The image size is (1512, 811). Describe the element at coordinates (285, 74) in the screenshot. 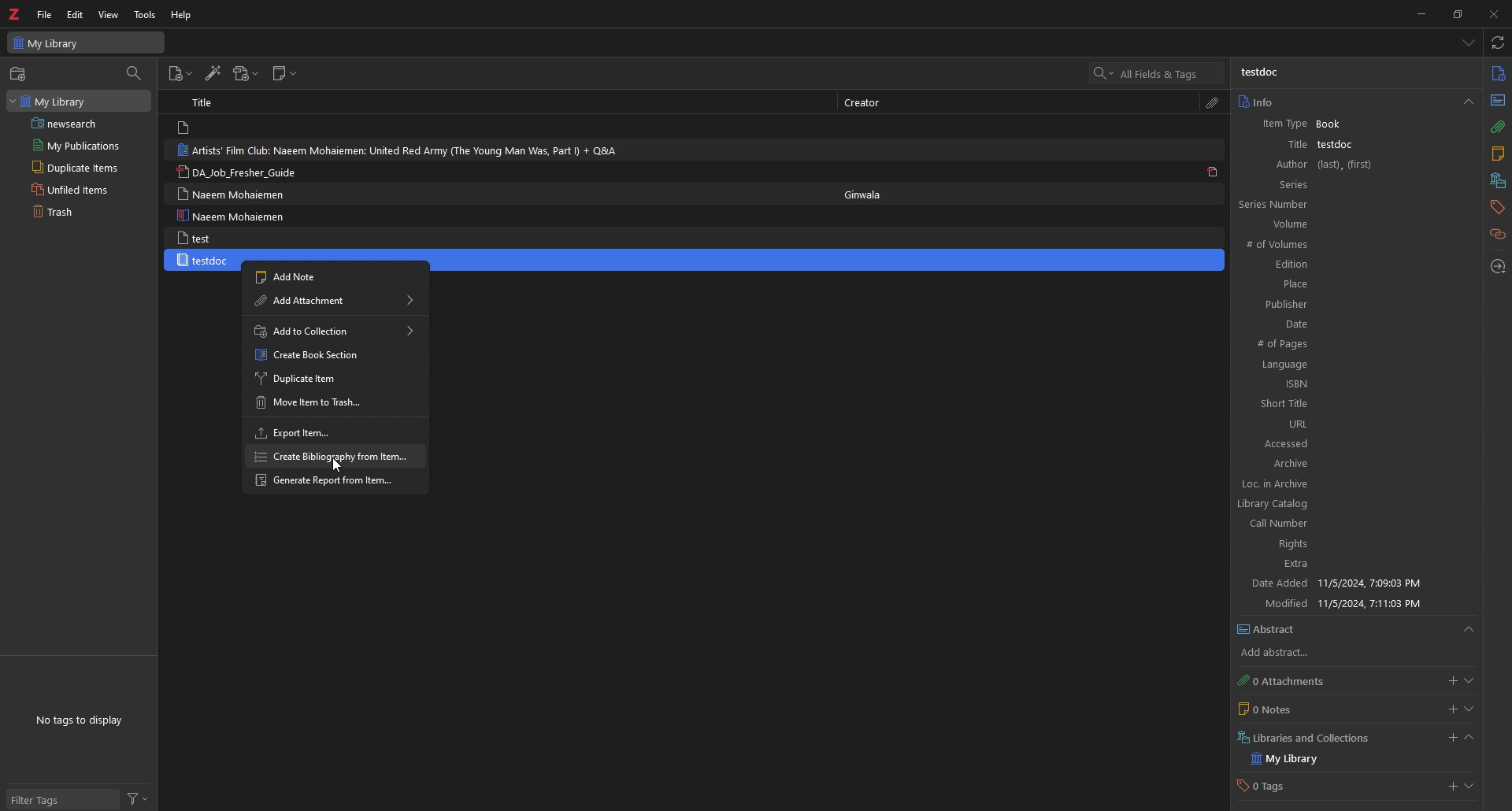

I see `new note` at that location.